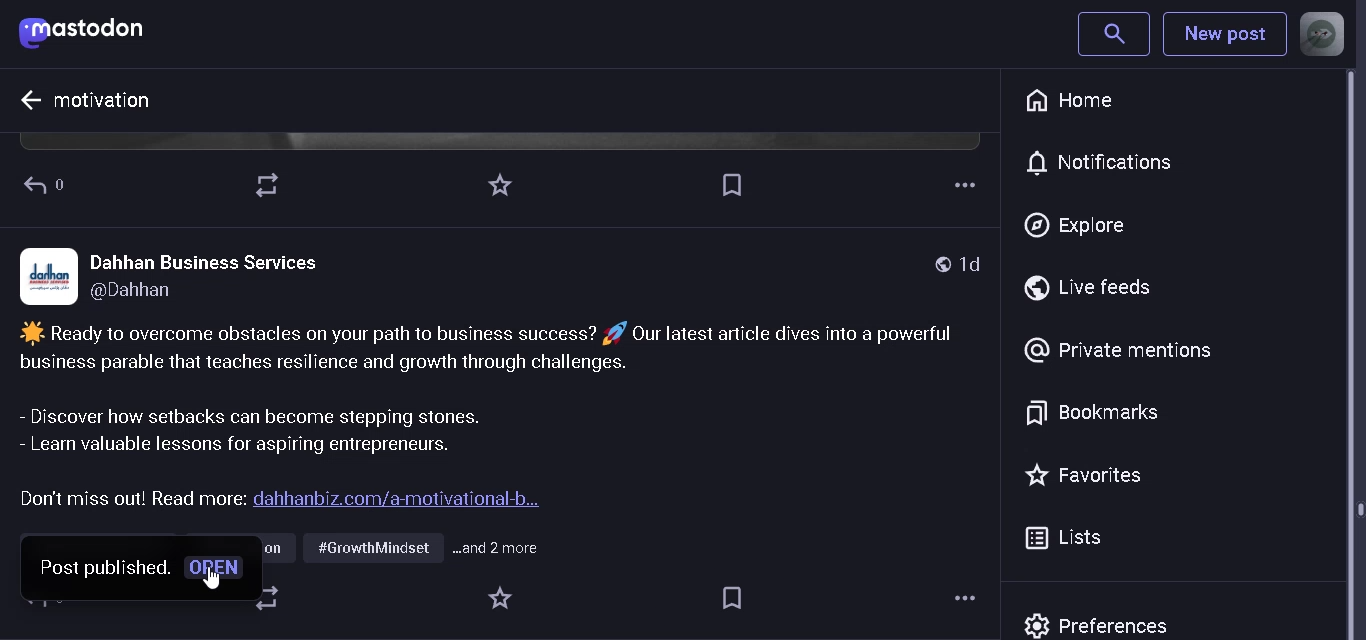 This screenshot has height=640, width=1366. Describe the element at coordinates (1075, 227) in the screenshot. I see `explore` at that location.